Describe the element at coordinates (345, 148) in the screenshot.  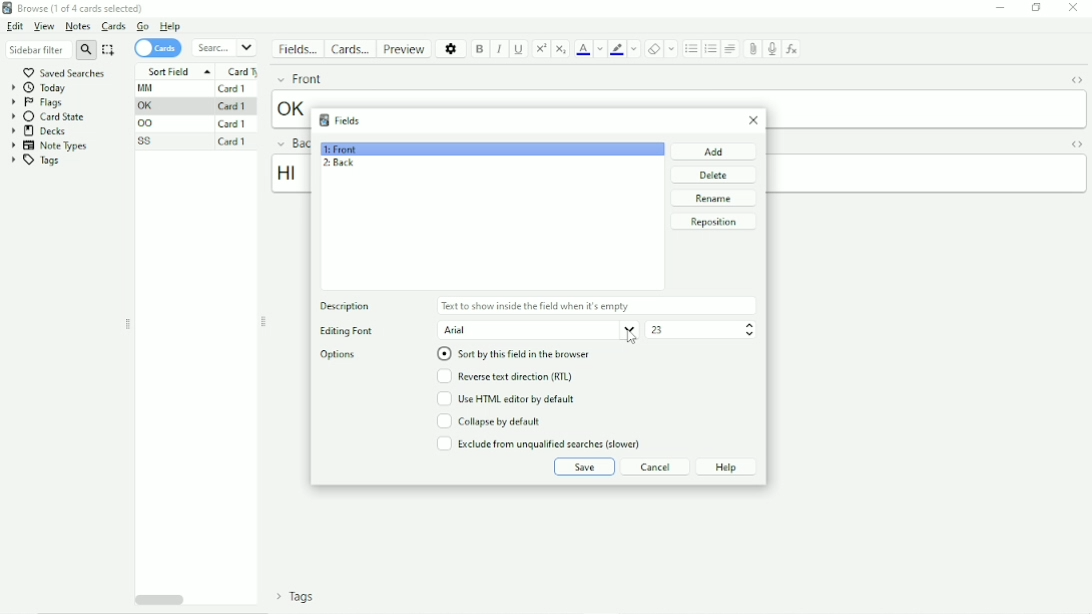
I see `1: Front` at that location.